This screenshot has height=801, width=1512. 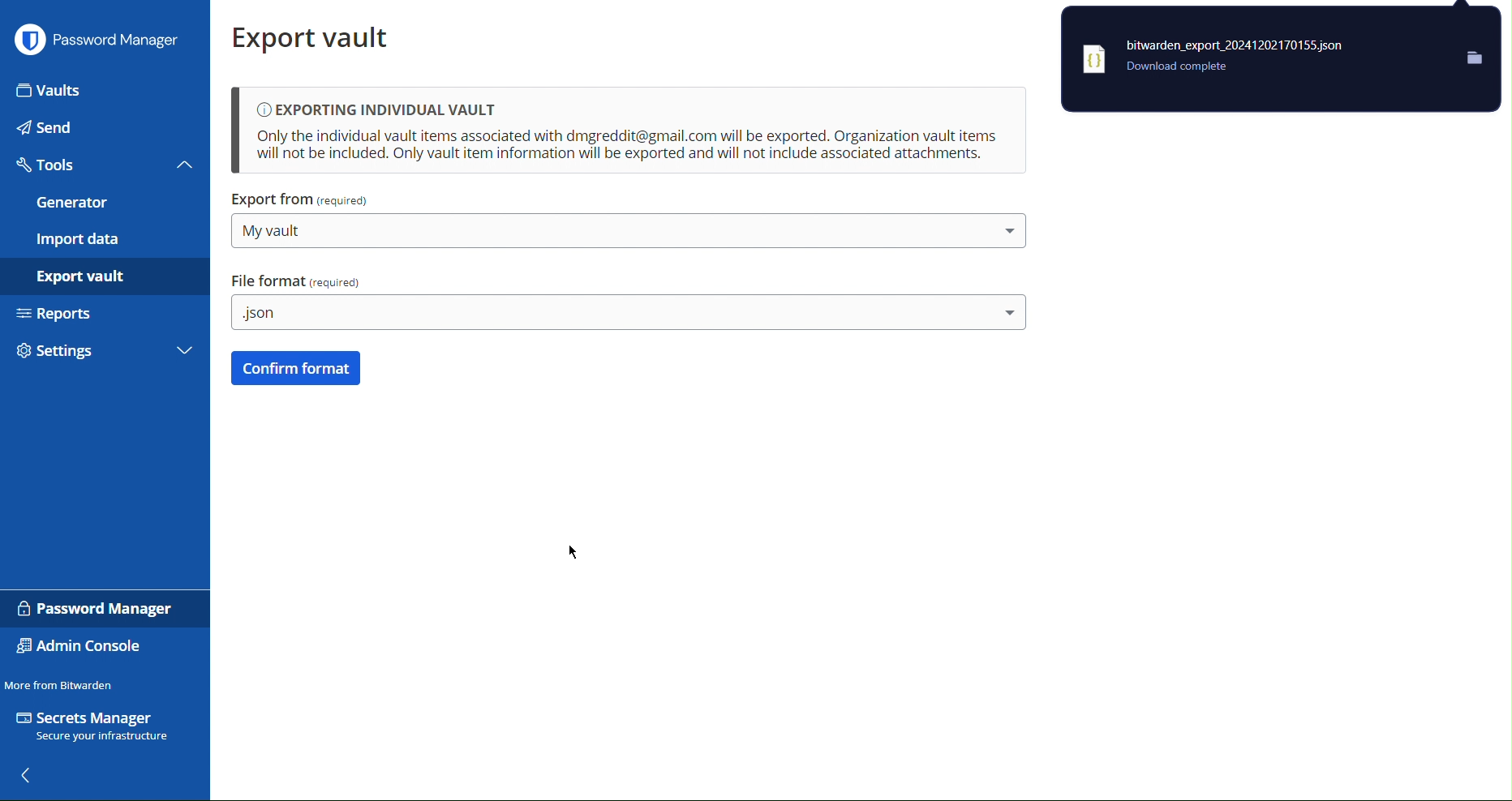 What do you see at coordinates (1281, 62) in the screenshot?
I see `.json downloaded` at bounding box center [1281, 62].